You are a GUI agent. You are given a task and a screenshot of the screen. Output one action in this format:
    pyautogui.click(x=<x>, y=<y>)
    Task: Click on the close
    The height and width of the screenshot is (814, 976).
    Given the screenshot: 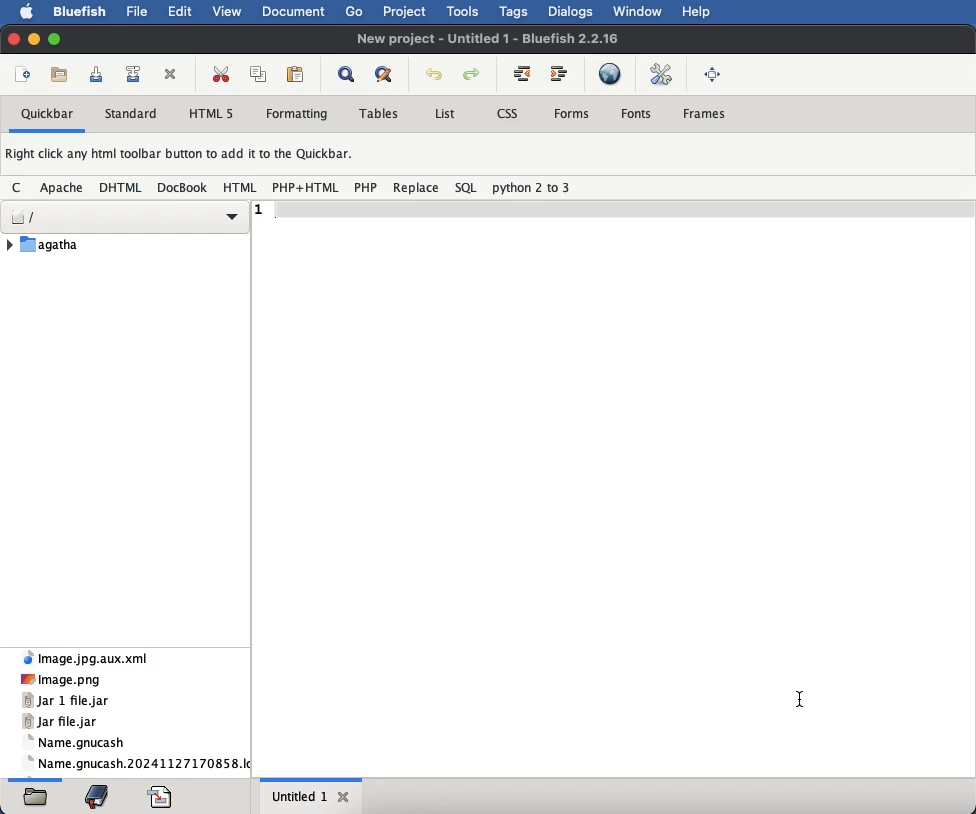 What is the action you would take?
    pyautogui.click(x=345, y=797)
    